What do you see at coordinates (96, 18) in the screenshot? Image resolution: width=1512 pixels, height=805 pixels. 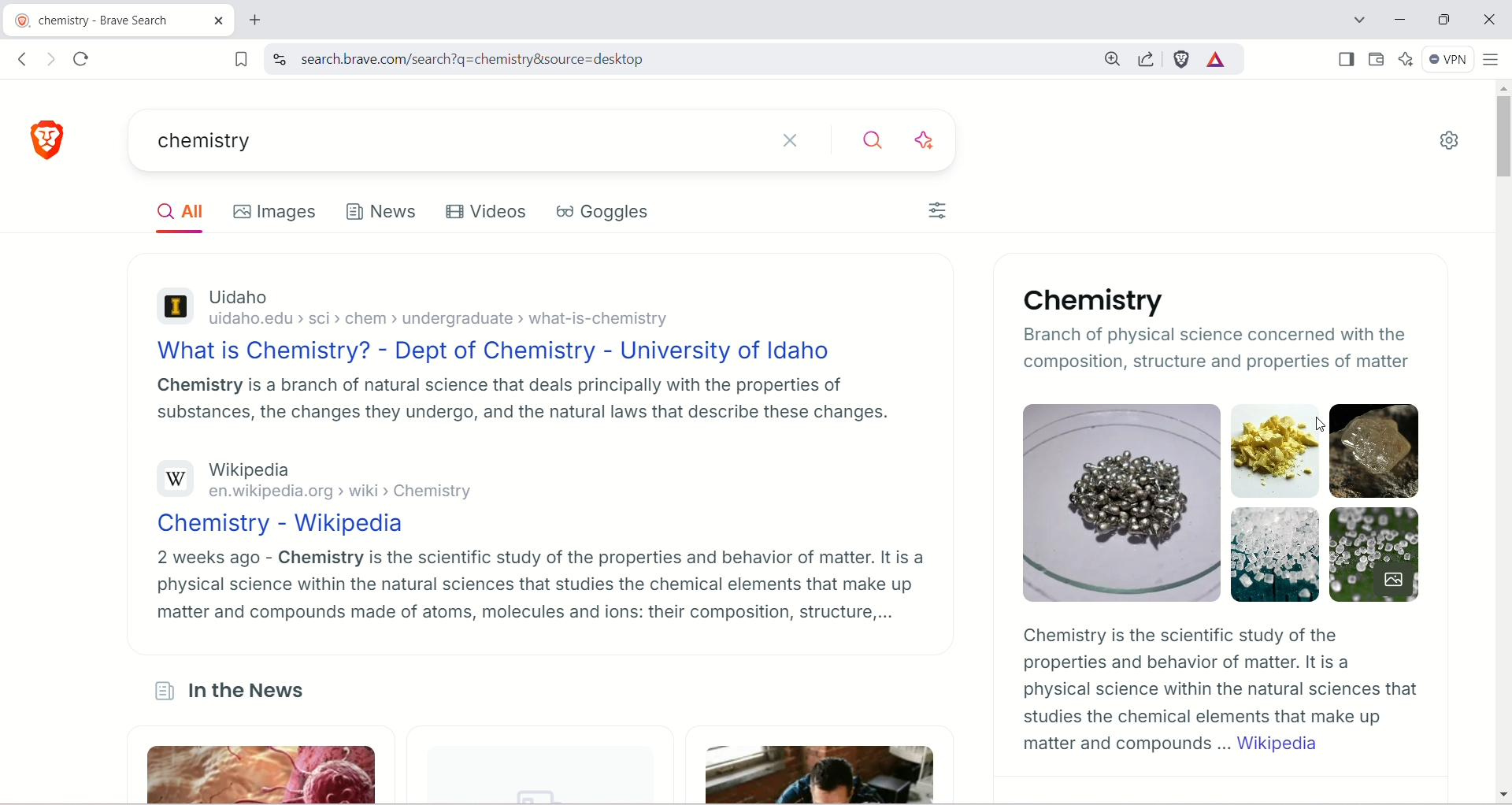 I see `chemistry - brave search` at bounding box center [96, 18].